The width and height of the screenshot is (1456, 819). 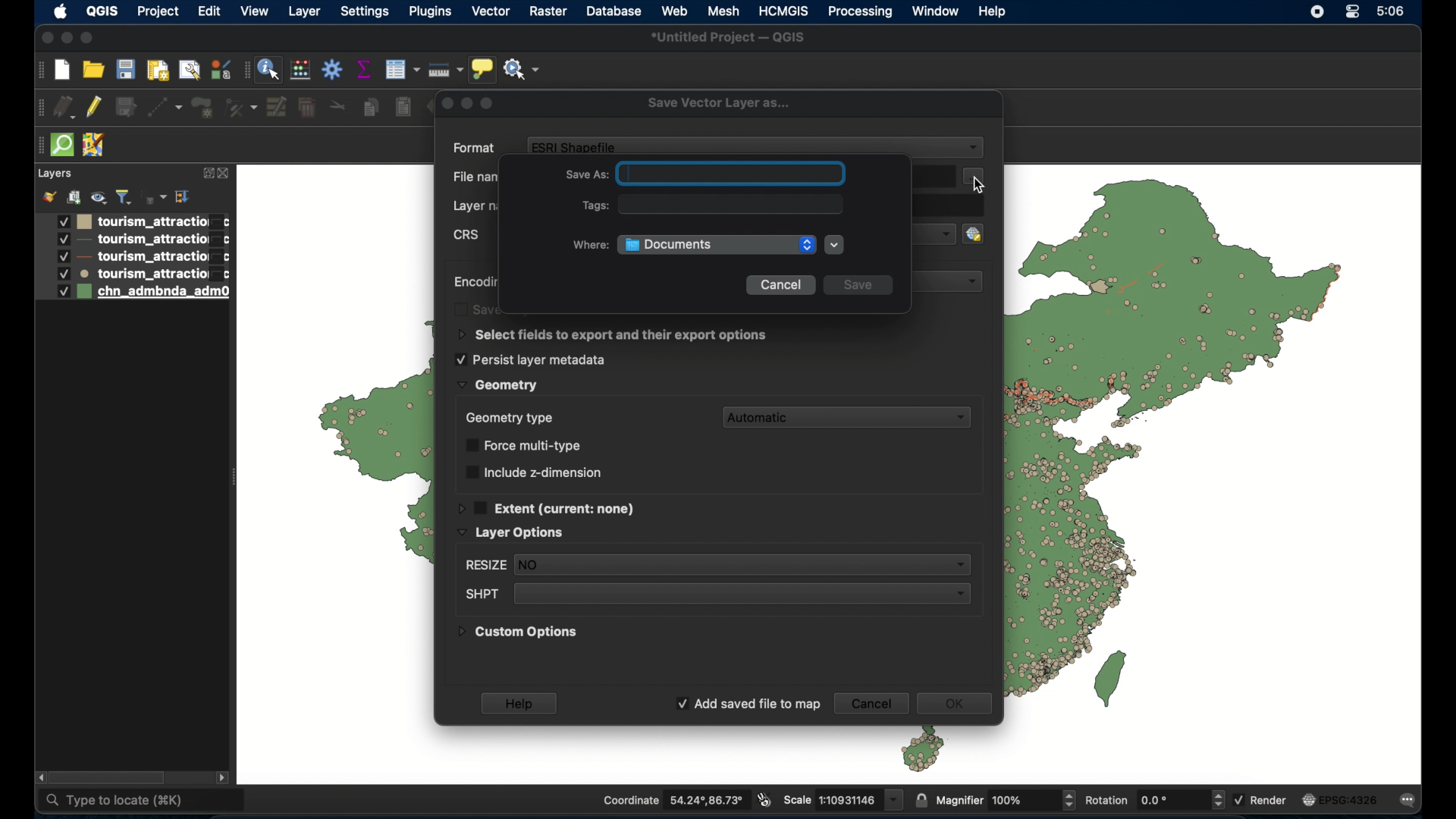 What do you see at coordinates (718, 104) in the screenshot?
I see `save vector layer as` at bounding box center [718, 104].